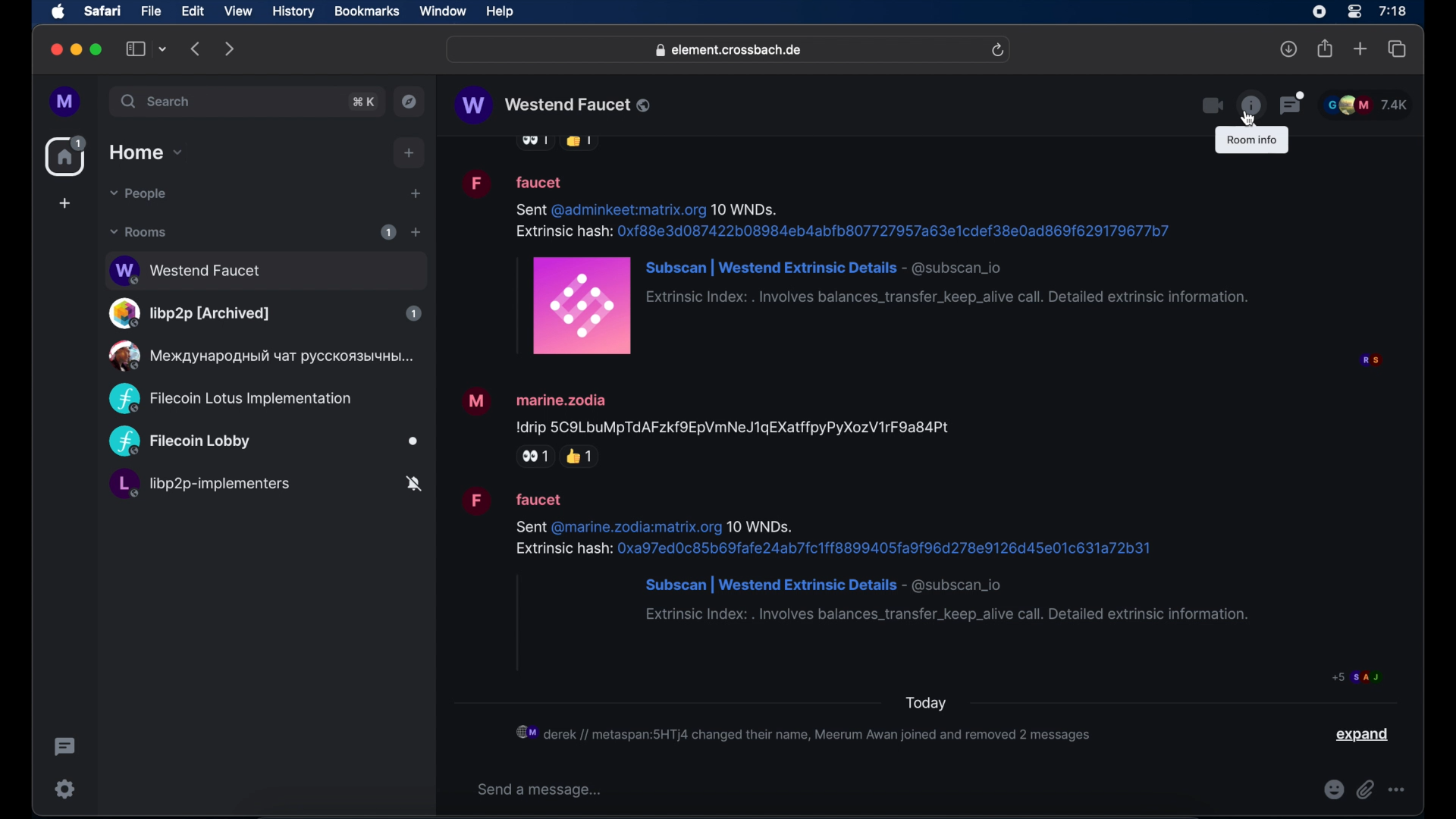  I want to click on downloads, so click(1289, 49).